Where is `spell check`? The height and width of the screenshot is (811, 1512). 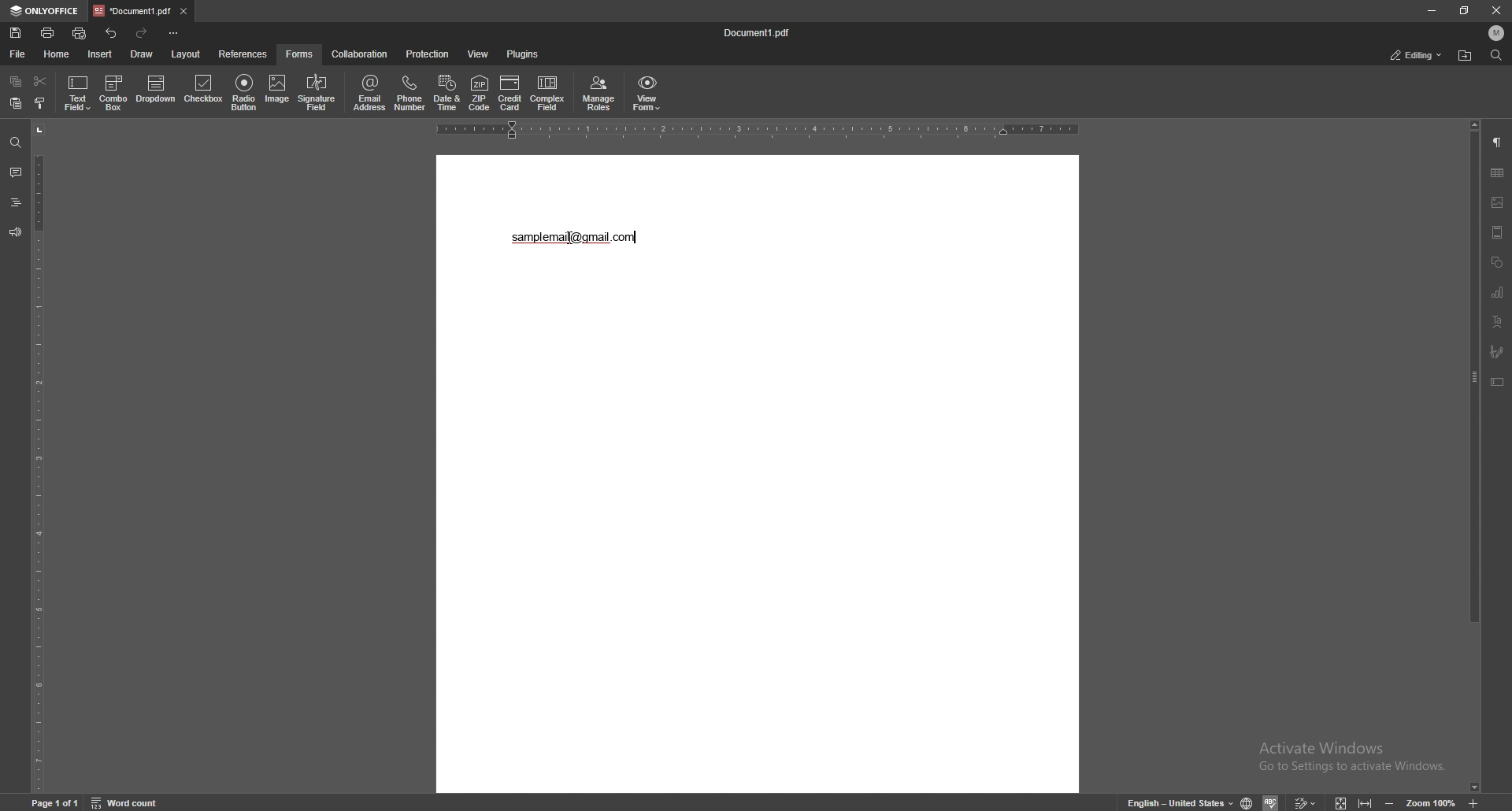
spell check is located at coordinates (1272, 802).